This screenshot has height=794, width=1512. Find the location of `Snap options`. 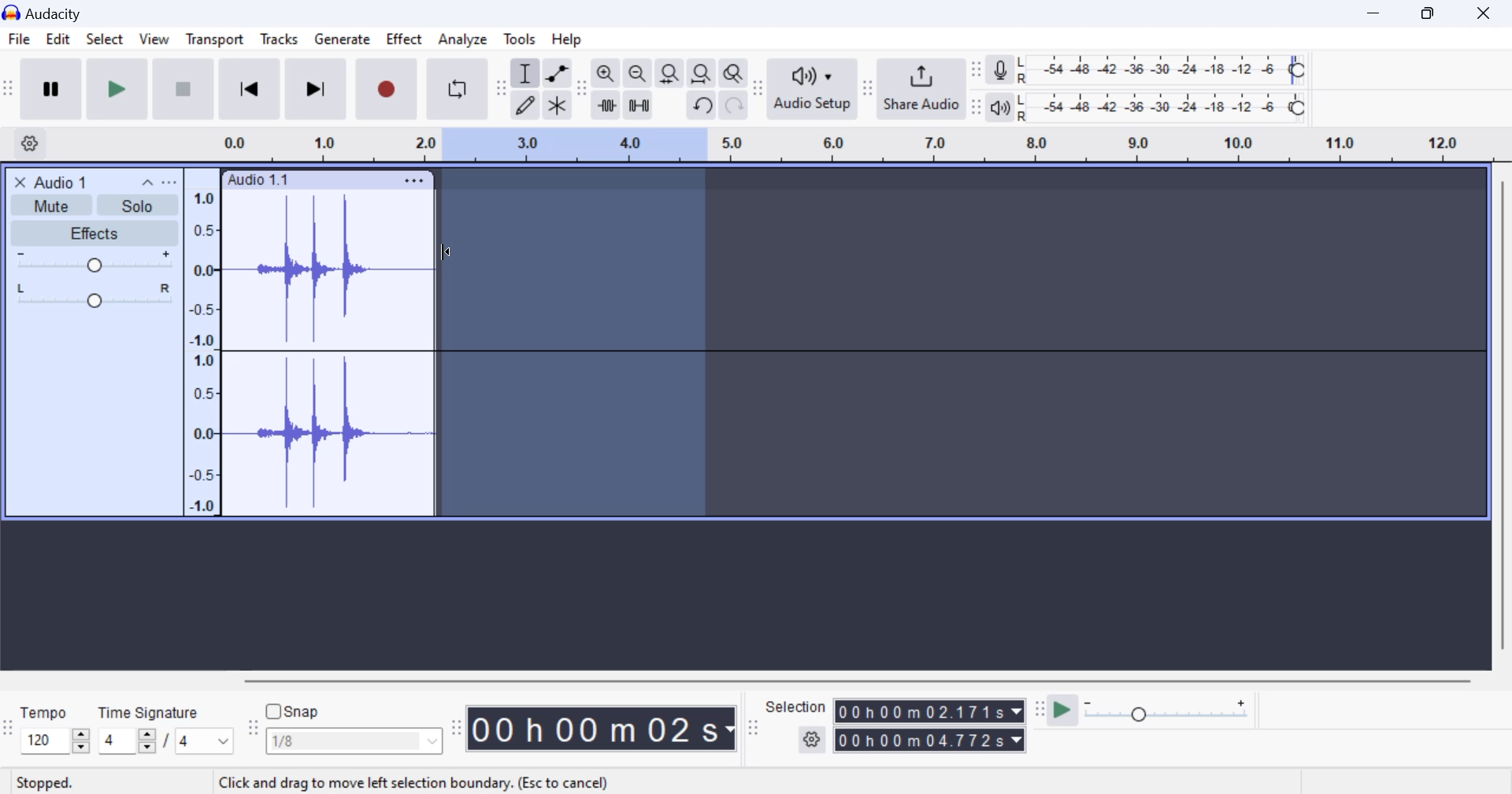

Snap options is located at coordinates (356, 744).